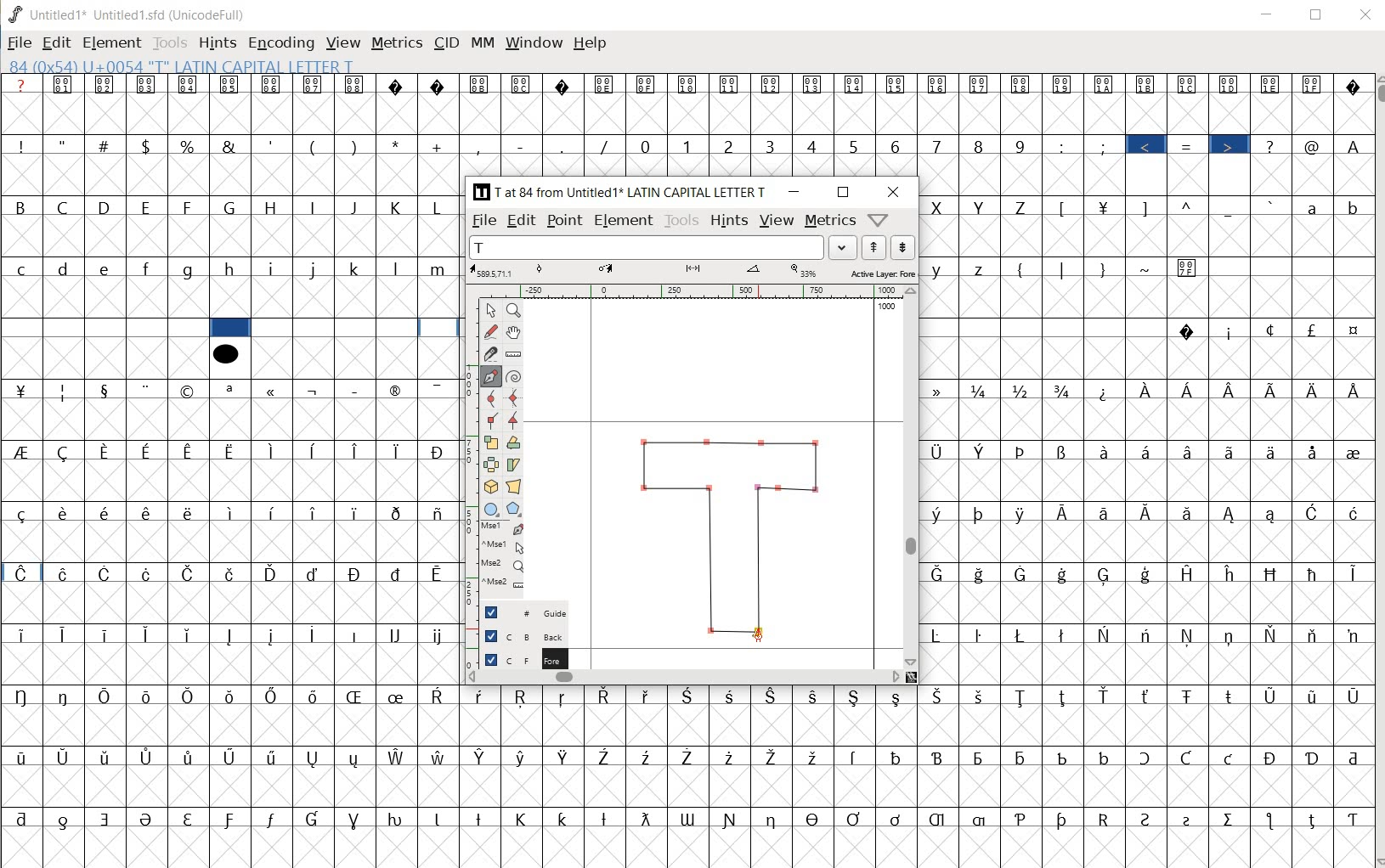 This screenshot has width=1385, height=868. Describe the element at coordinates (1272, 145) in the screenshot. I see `?` at that location.